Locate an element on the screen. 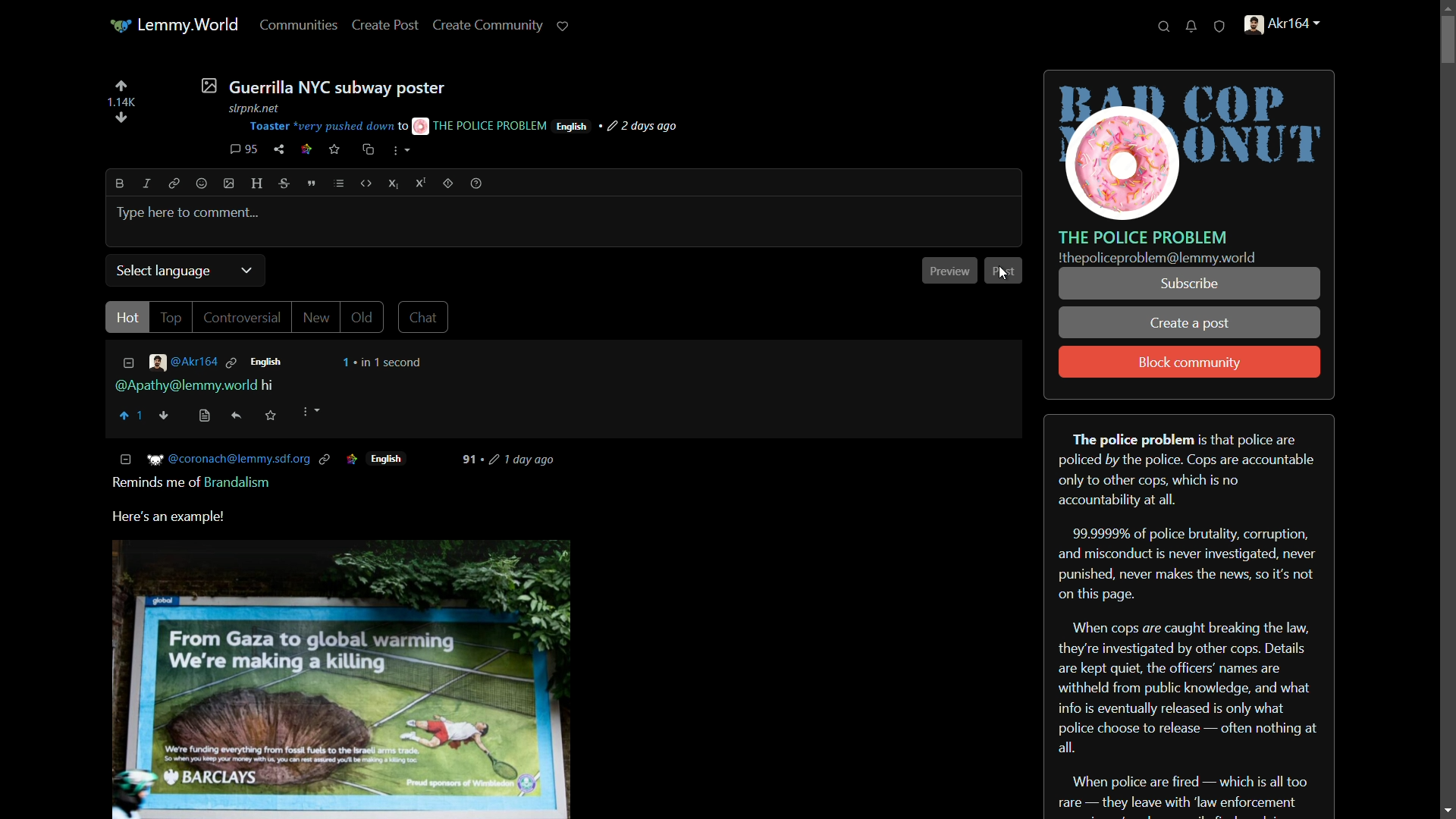 The height and width of the screenshot is (819, 1456). downvote is located at coordinates (162, 416).